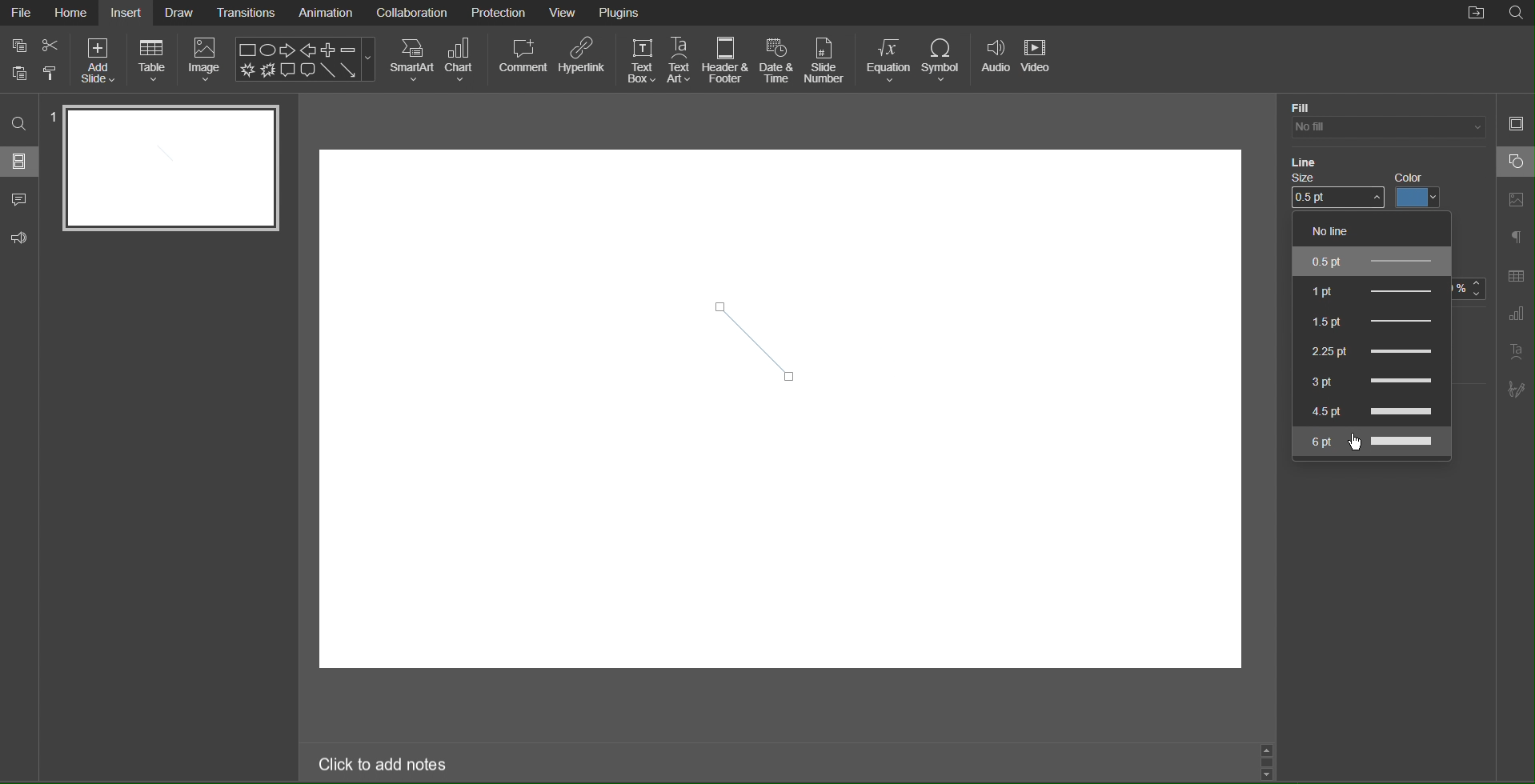 The height and width of the screenshot is (784, 1535). What do you see at coordinates (1371, 442) in the screenshot?
I see `6 pt` at bounding box center [1371, 442].